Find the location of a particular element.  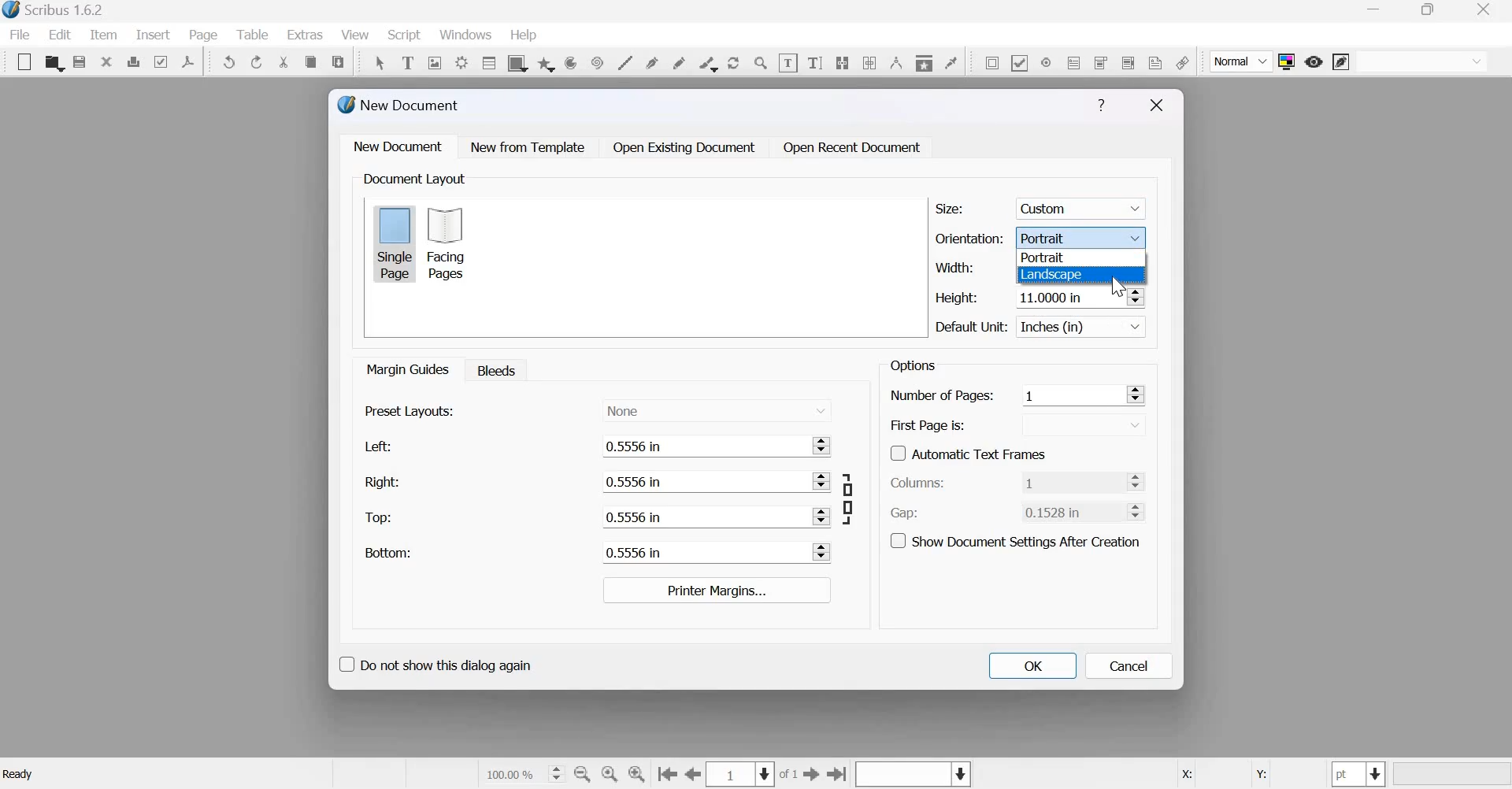

minimize is located at coordinates (1376, 11).